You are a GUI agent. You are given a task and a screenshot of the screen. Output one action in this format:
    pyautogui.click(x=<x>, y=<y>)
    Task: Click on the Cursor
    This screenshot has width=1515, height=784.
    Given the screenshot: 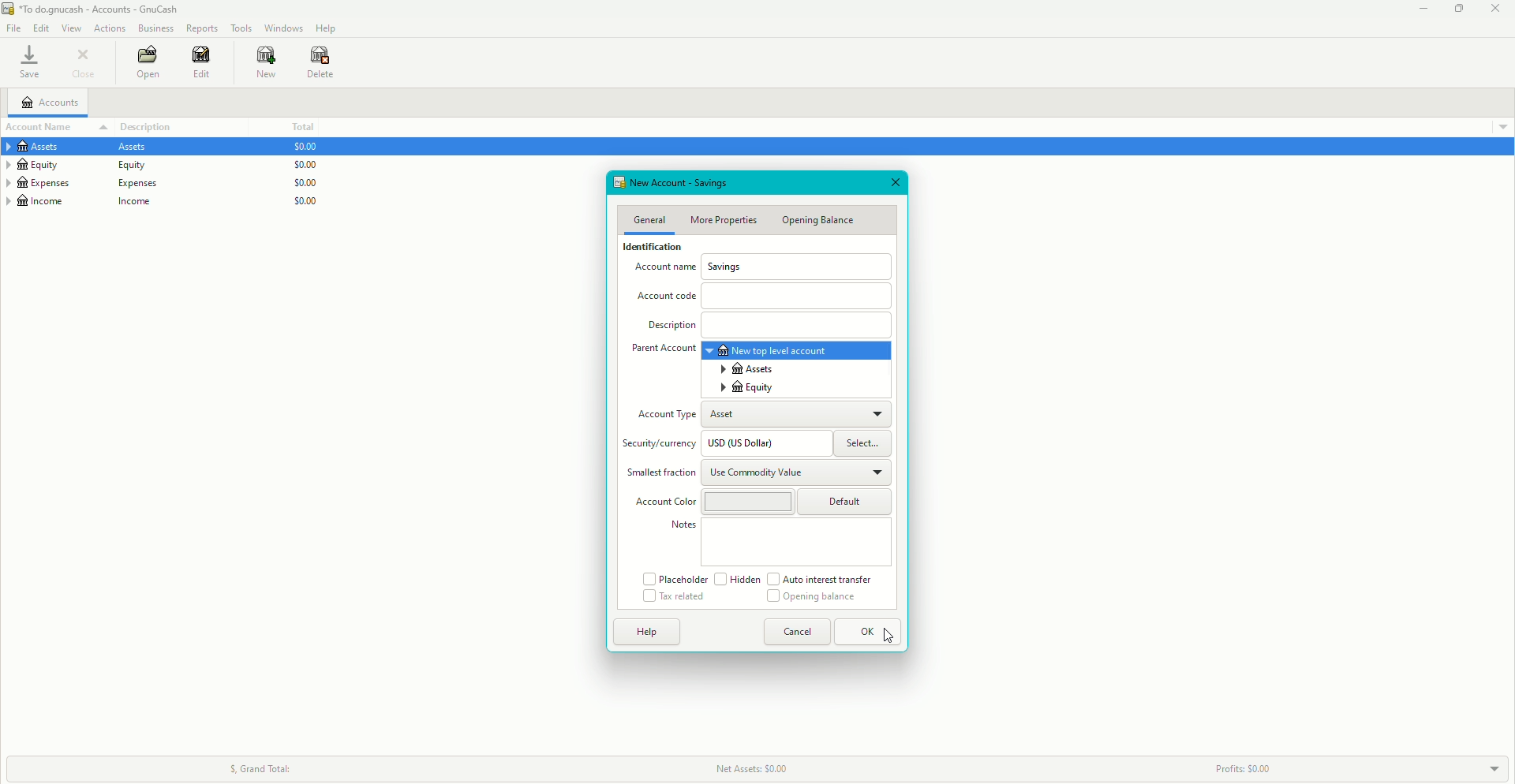 What is the action you would take?
    pyautogui.click(x=888, y=638)
    